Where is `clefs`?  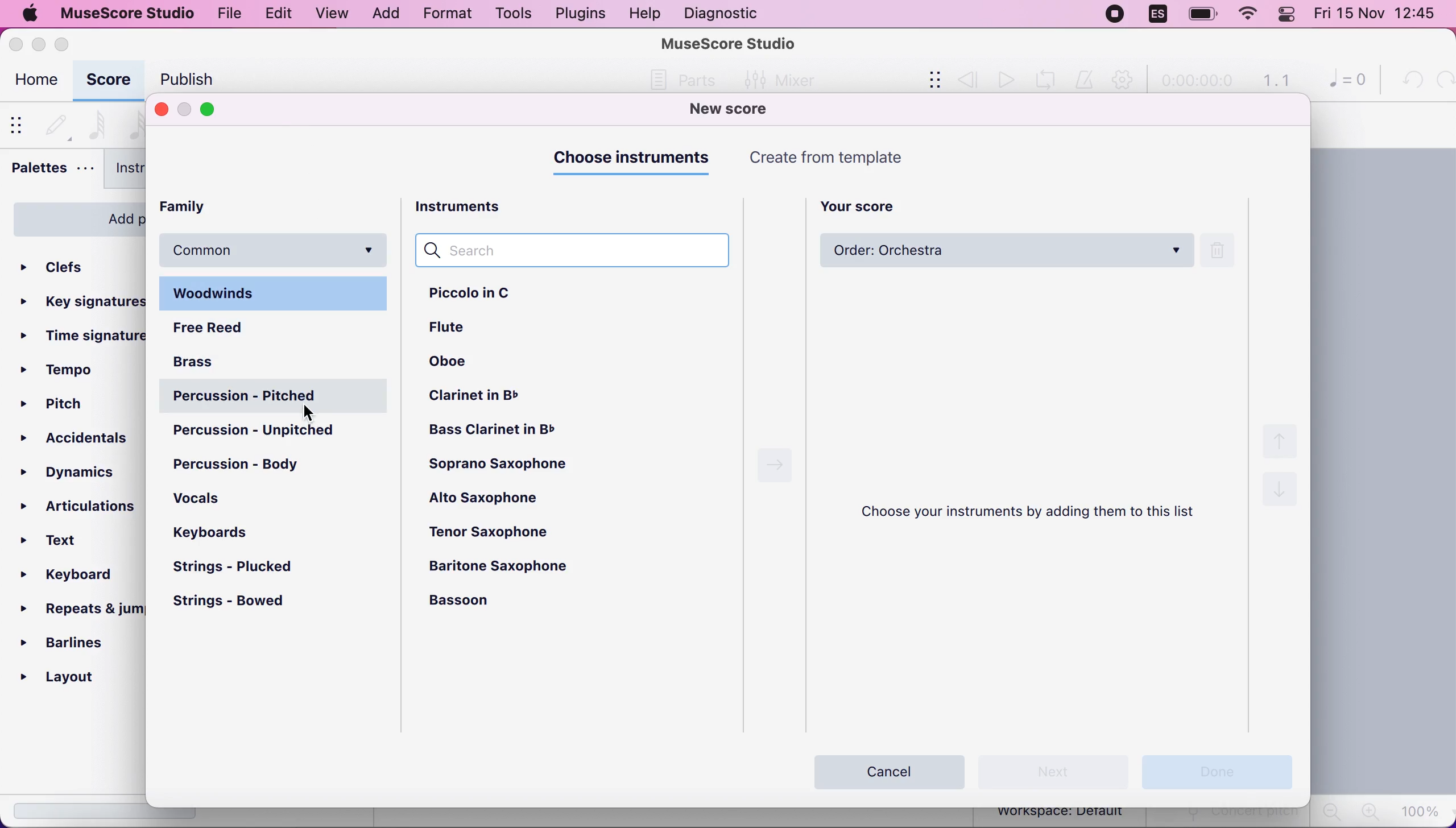 clefs is located at coordinates (74, 263).